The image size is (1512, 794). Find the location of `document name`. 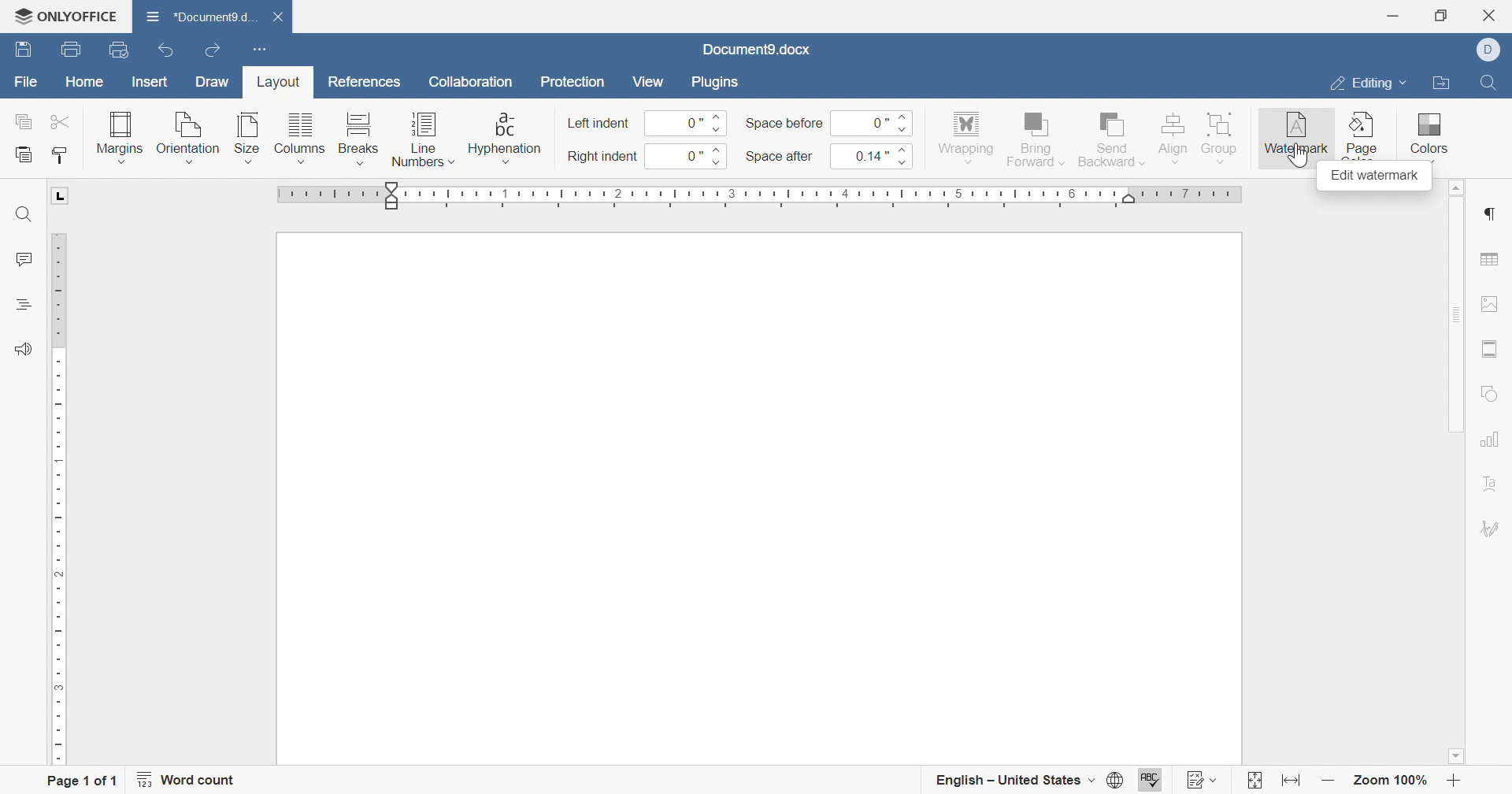

document name is located at coordinates (755, 50).